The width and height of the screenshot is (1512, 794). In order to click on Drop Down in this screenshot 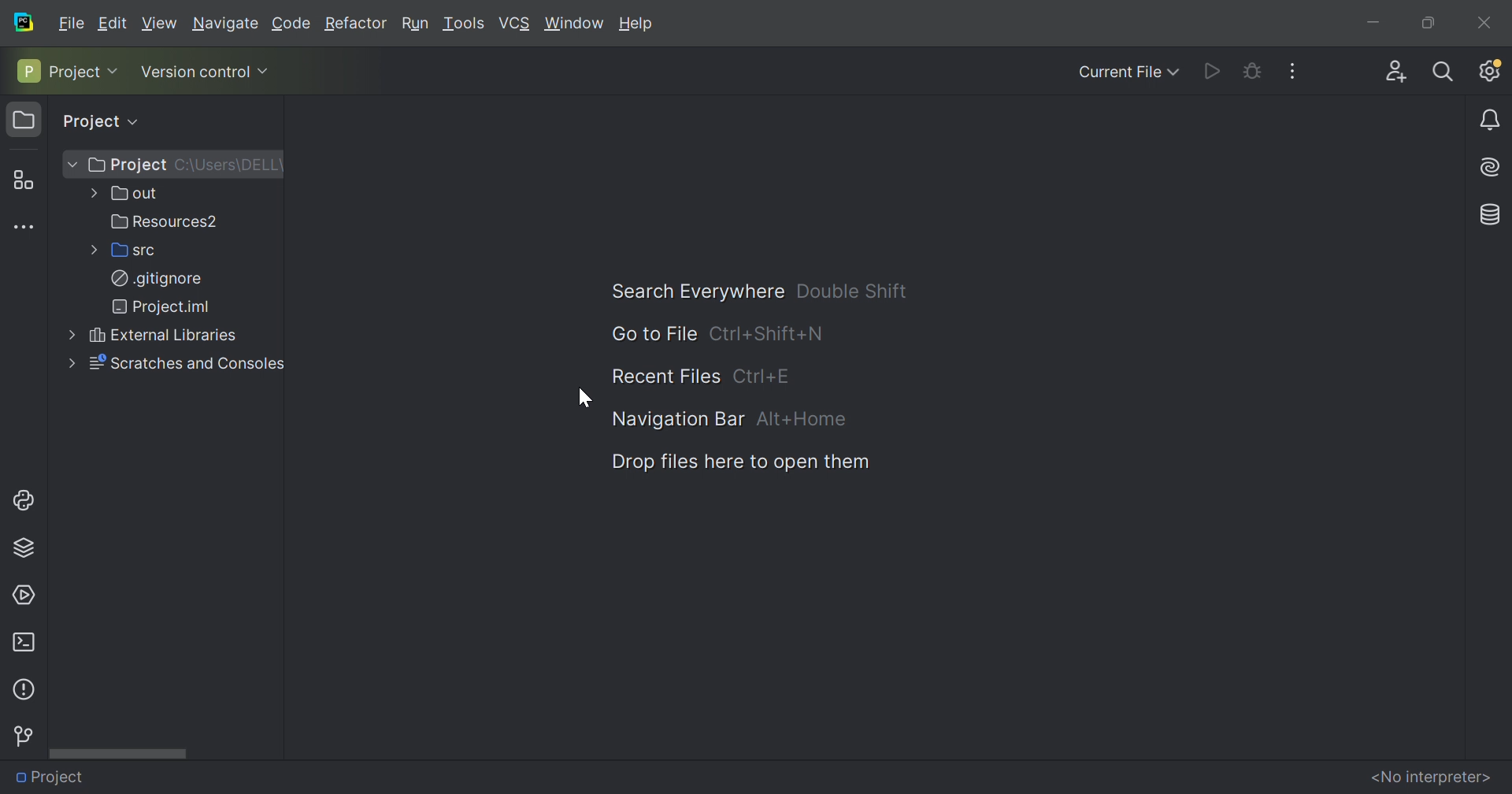, I will do `click(1177, 72)`.